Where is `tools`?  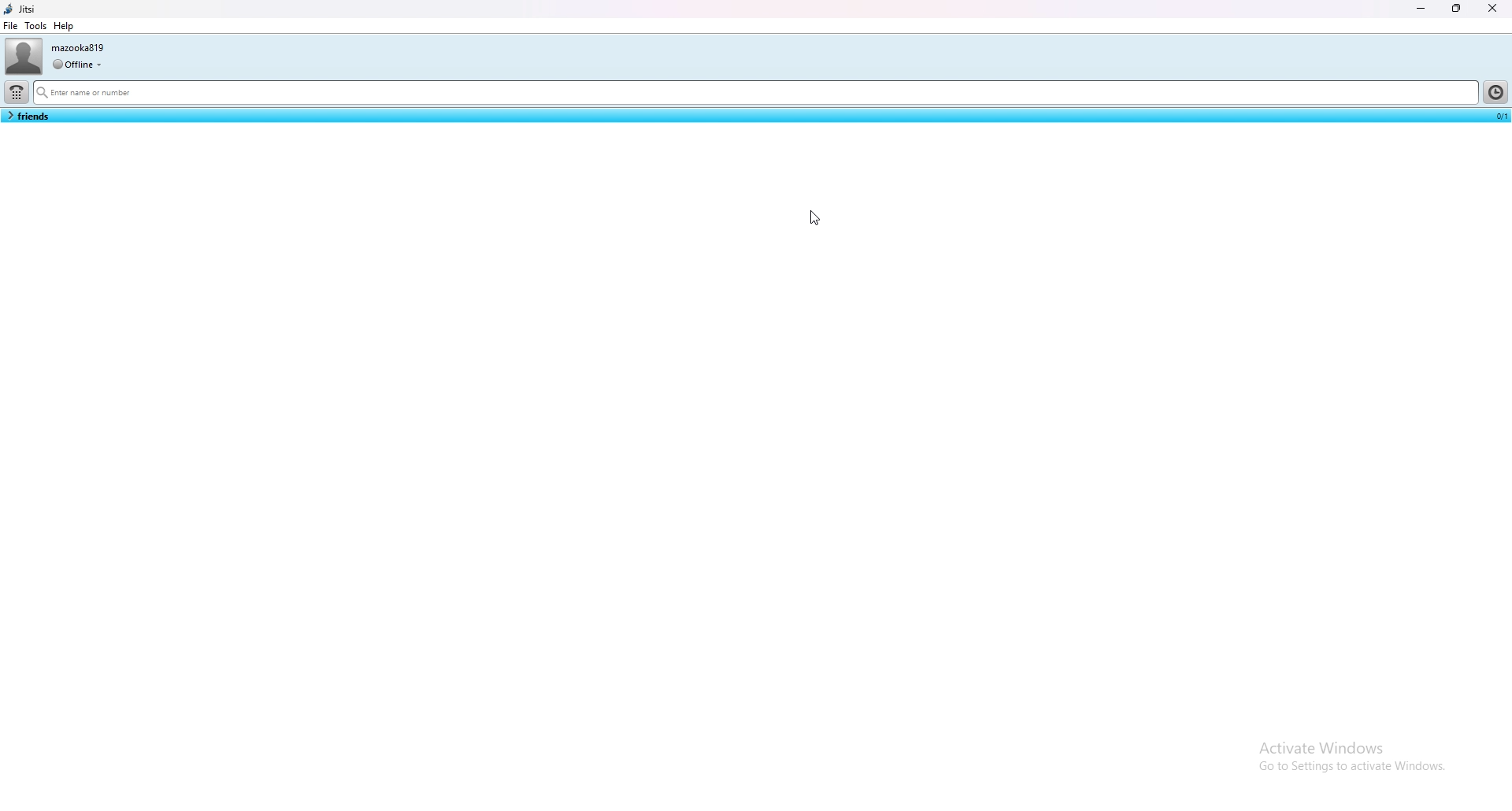
tools is located at coordinates (35, 25).